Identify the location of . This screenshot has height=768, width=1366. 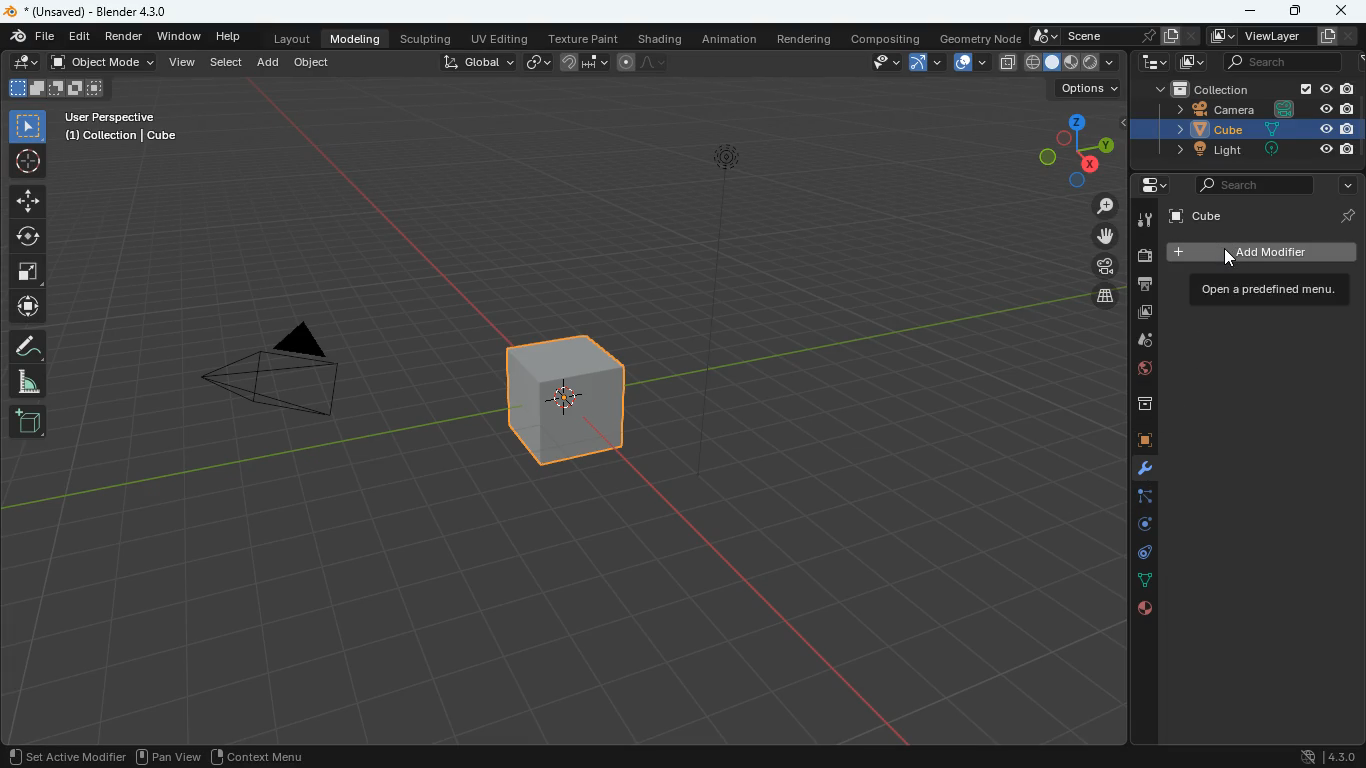
(1324, 129).